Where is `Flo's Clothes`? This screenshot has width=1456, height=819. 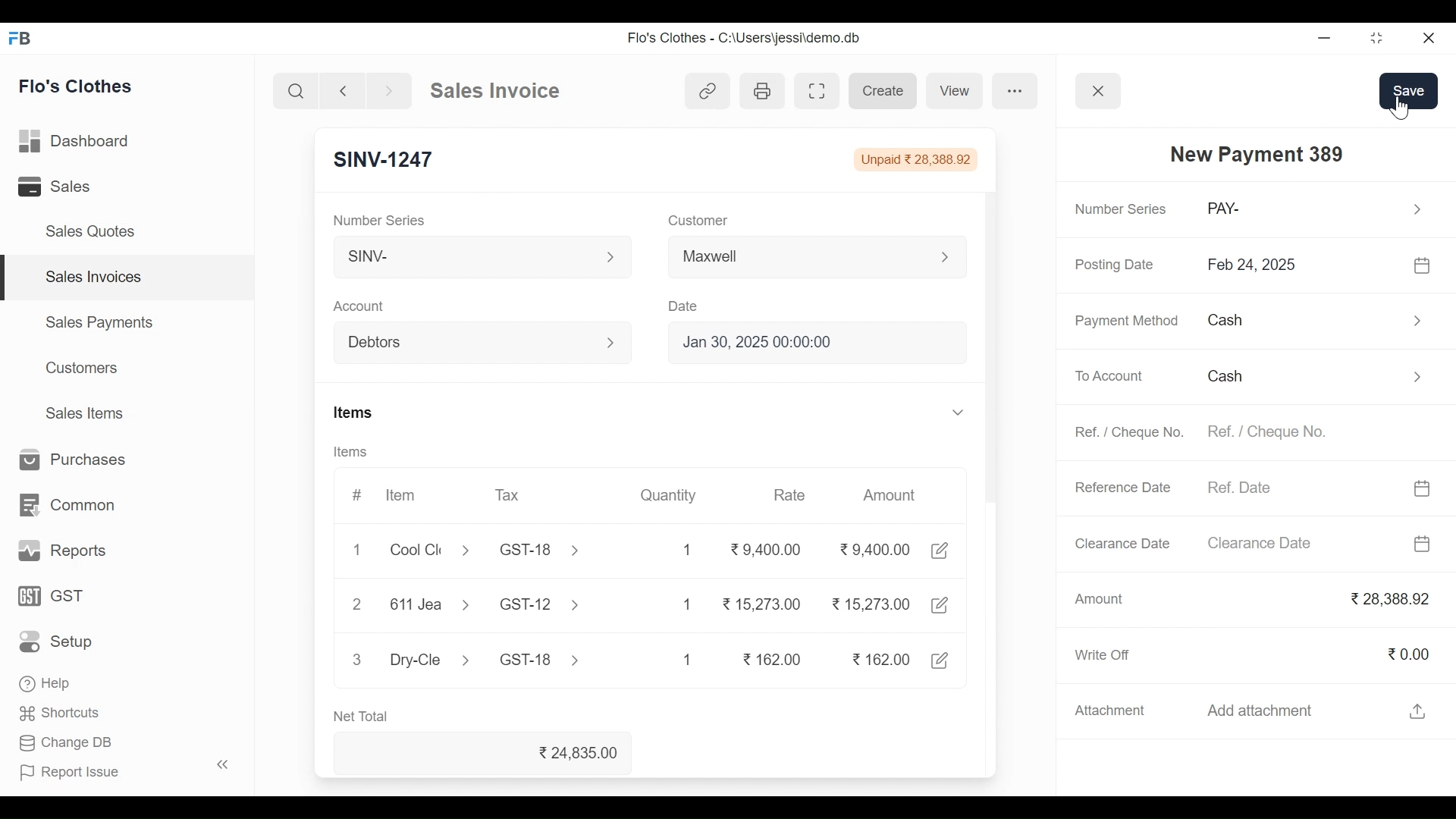
Flo's Clothes is located at coordinates (77, 86).